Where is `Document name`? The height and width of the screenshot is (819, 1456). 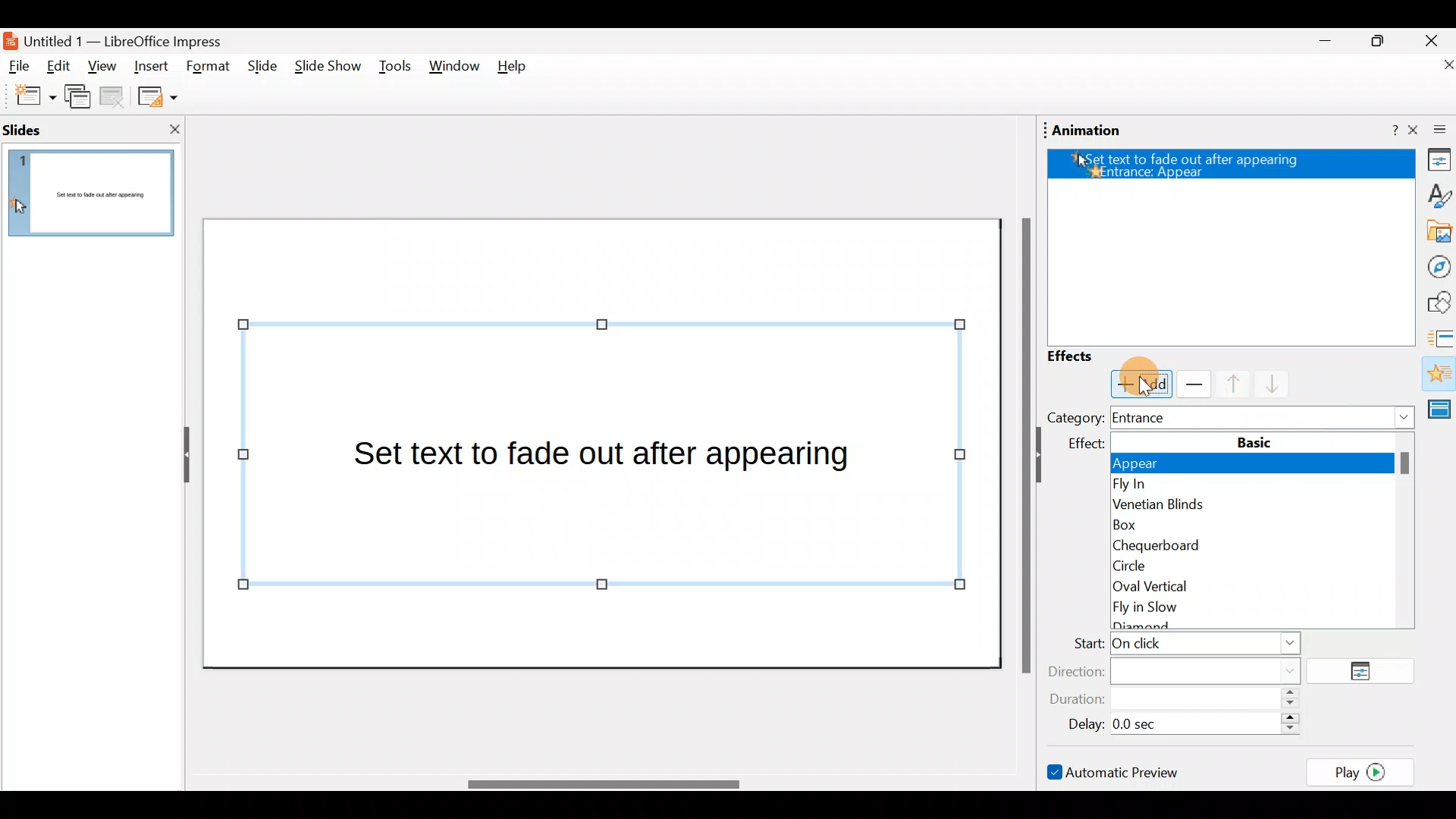 Document name is located at coordinates (124, 39).